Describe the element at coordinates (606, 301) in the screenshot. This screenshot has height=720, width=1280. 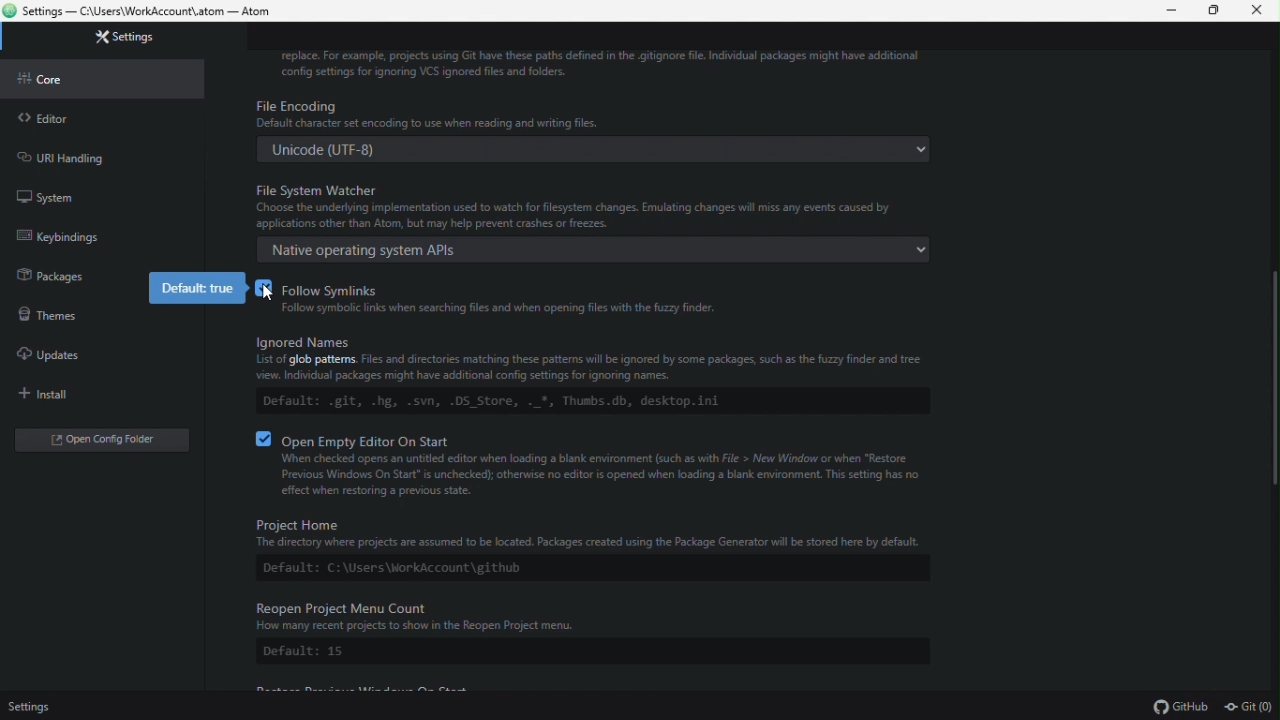
I see `follow symlinks (enabled)` at that location.